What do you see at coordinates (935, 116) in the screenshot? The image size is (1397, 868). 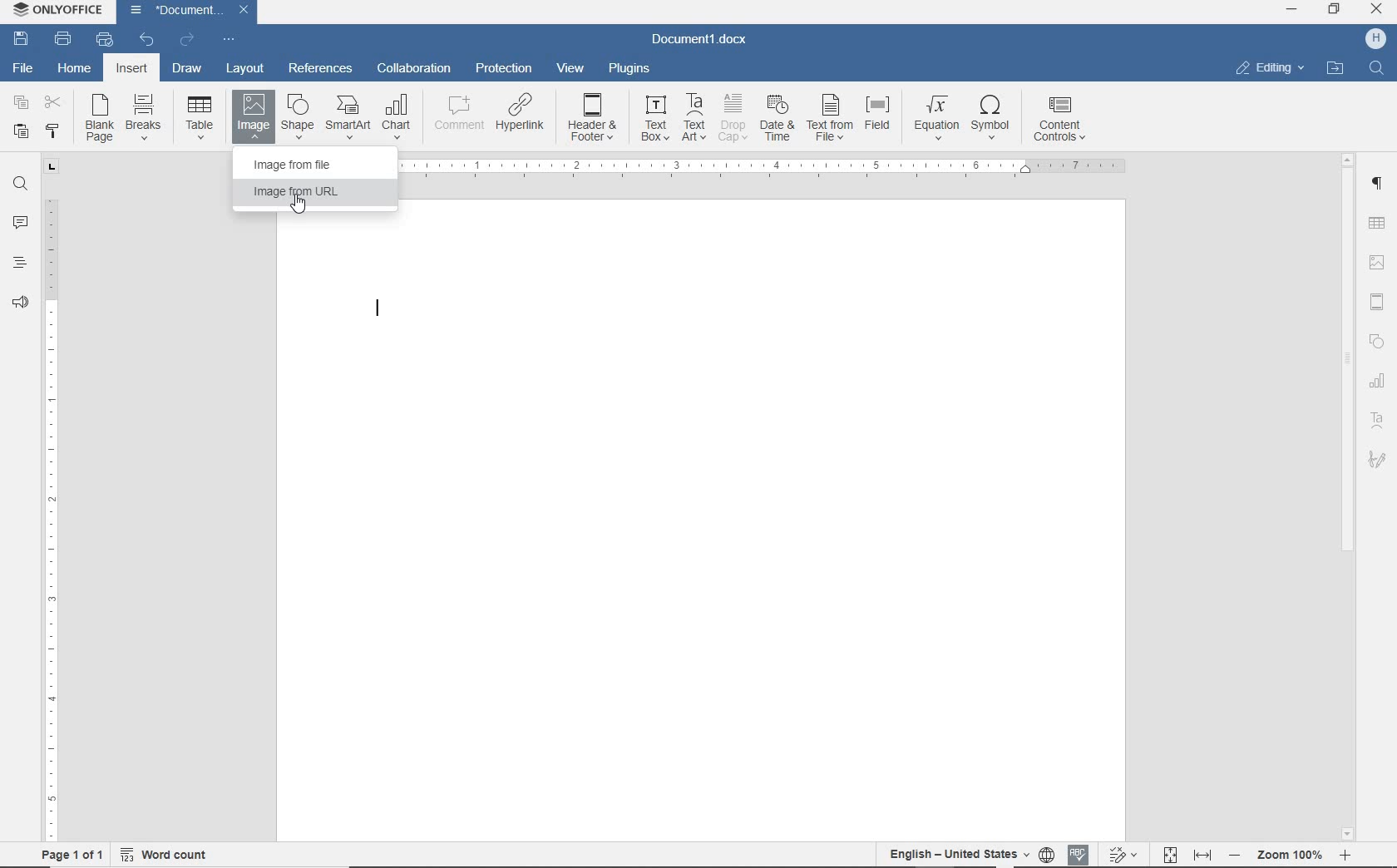 I see `equation` at bounding box center [935, 116].